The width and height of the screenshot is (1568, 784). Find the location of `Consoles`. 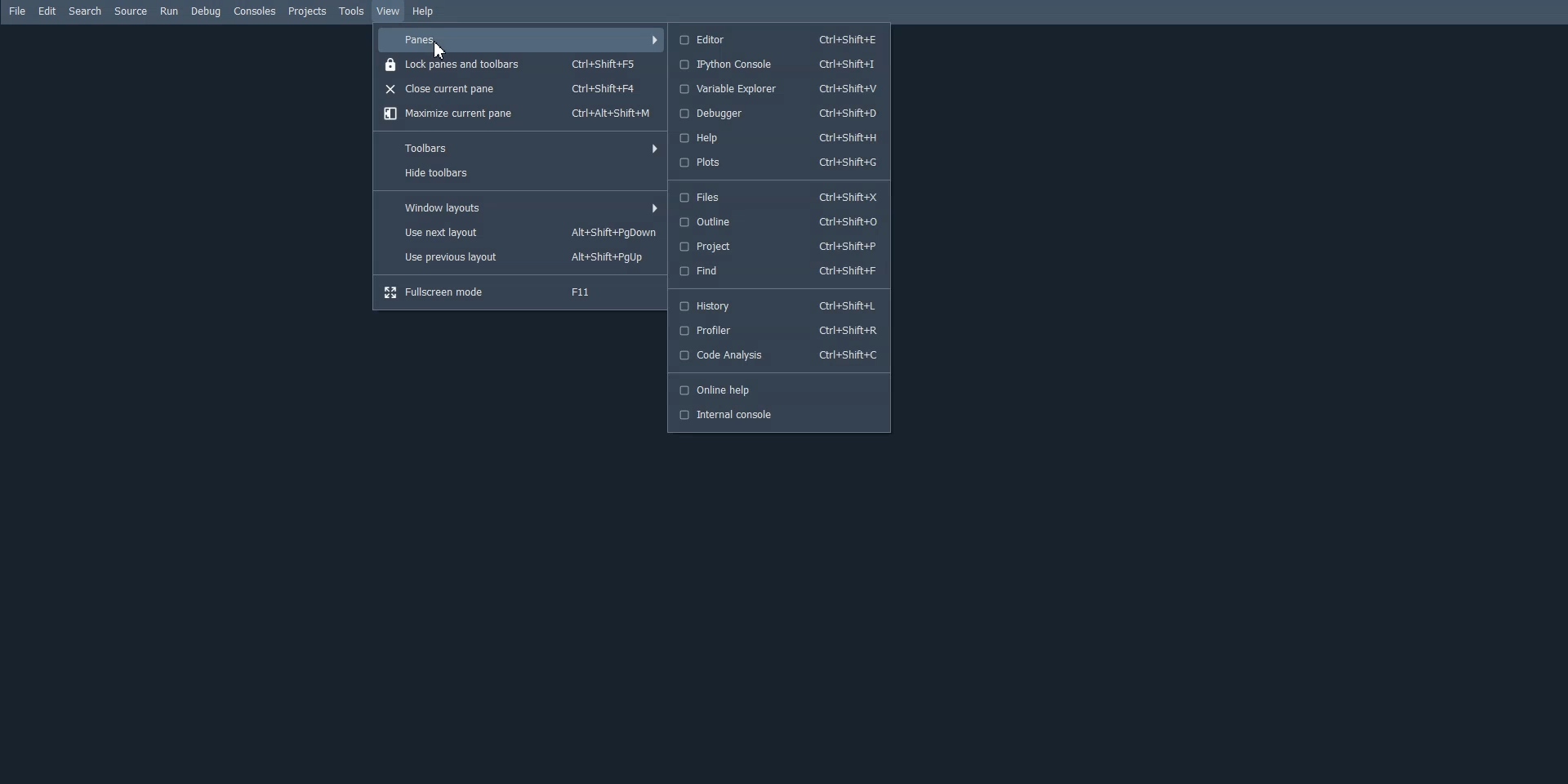

Consoles is located at coordinates (255, 11).